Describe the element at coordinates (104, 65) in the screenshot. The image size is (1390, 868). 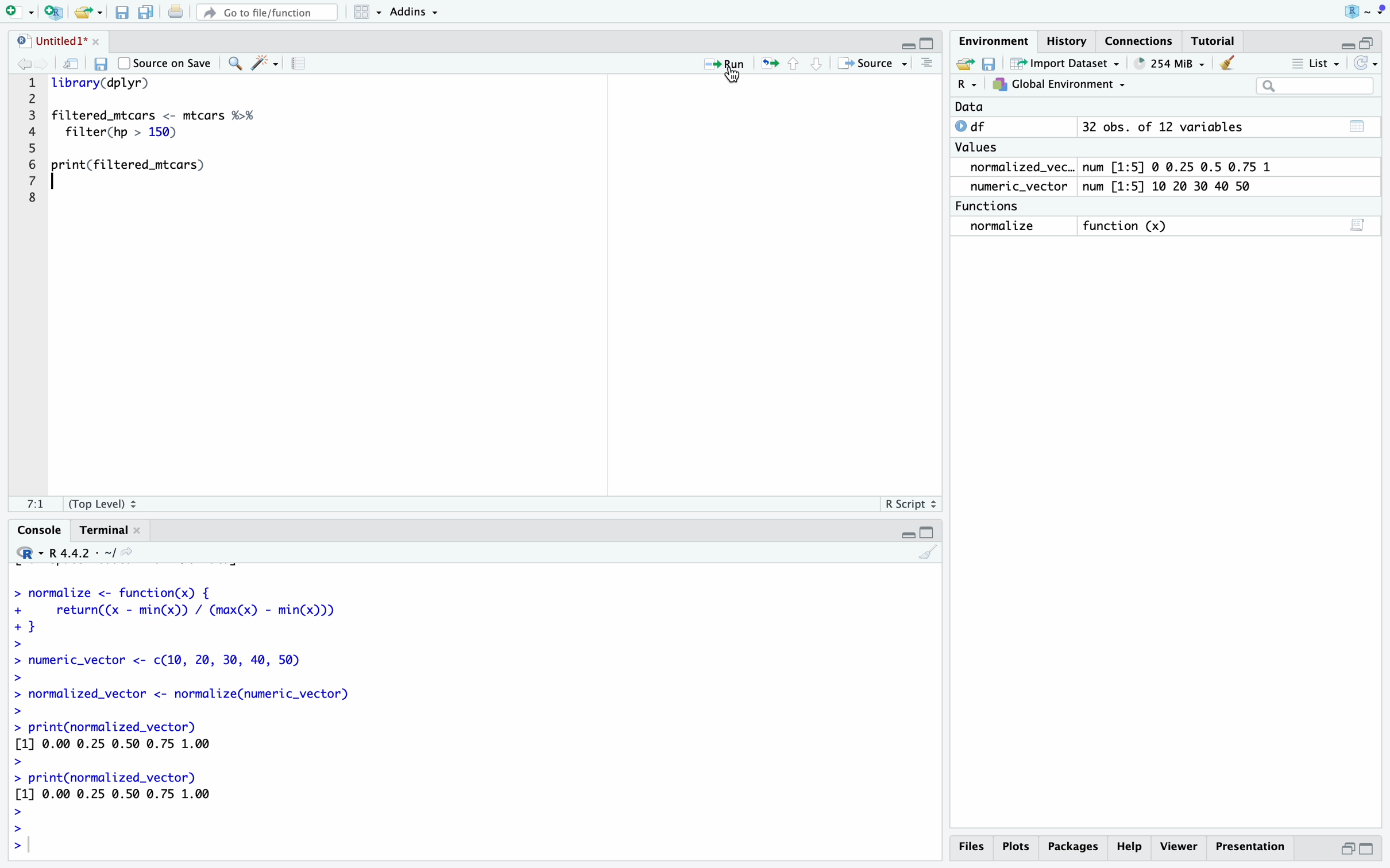
I see `save` at that location.